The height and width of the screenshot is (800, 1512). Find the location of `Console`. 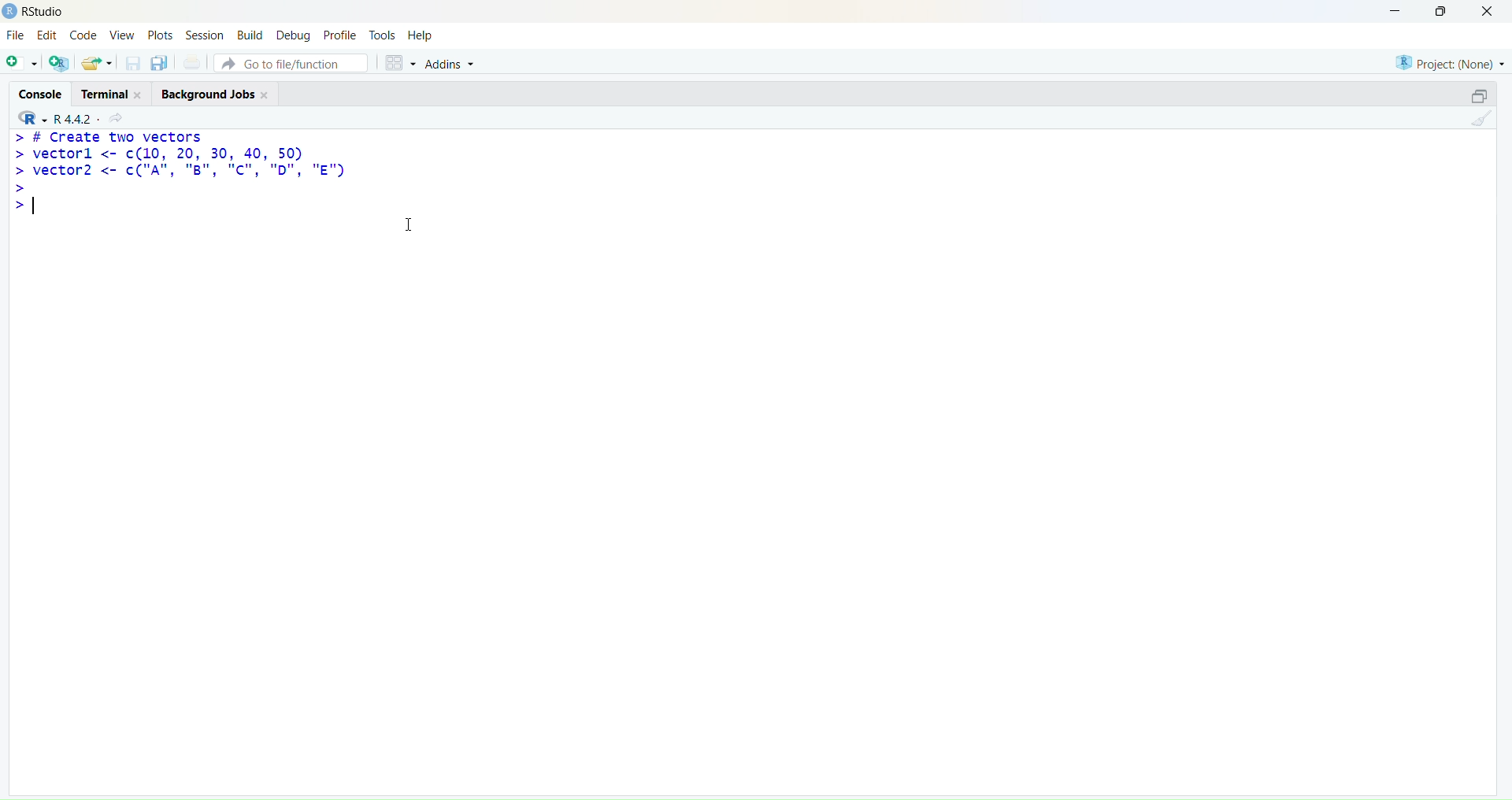

Console is located at coordinates (39, 92).